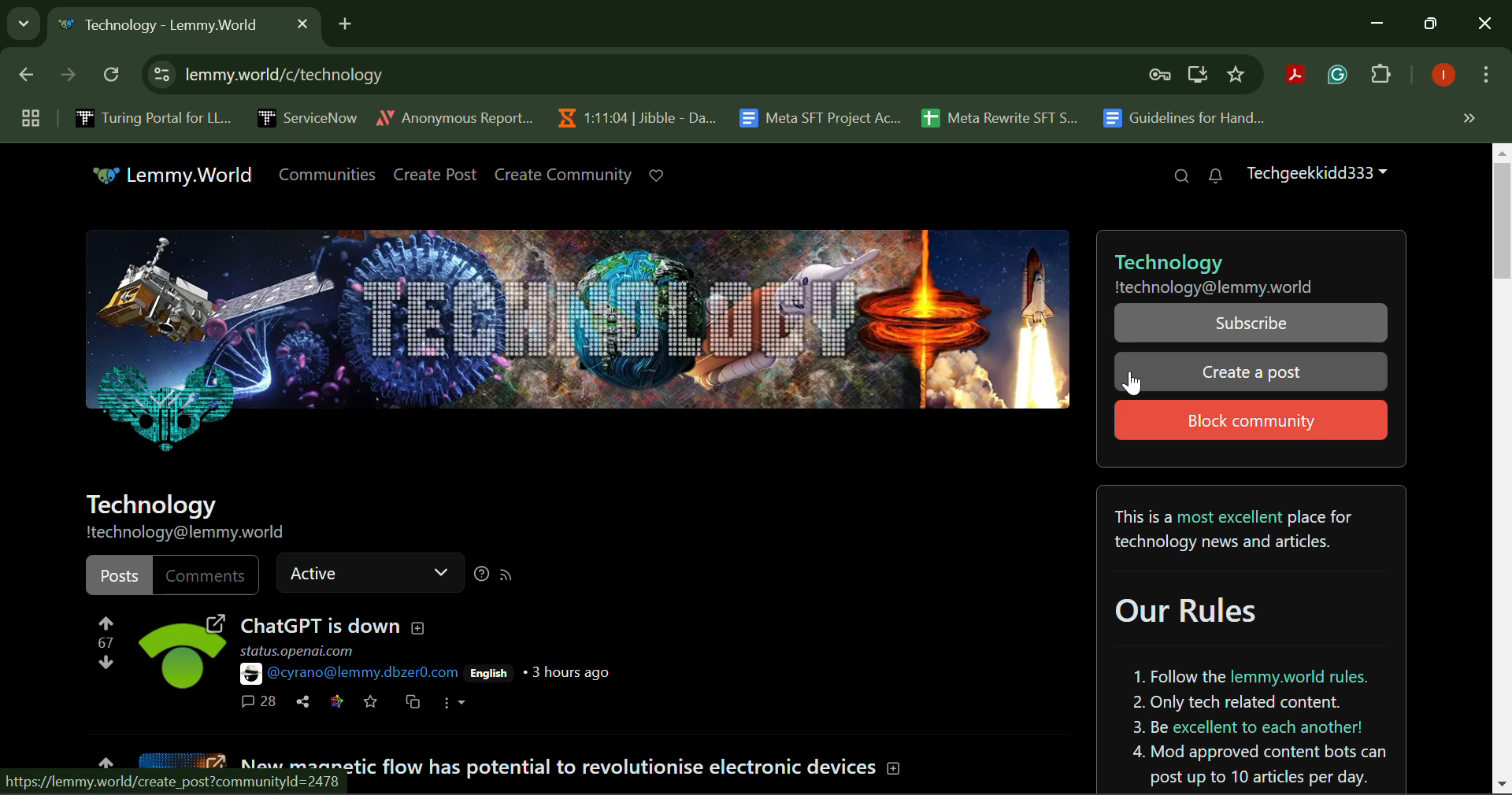  I want to click on Sorting Help , so click(480, 574).